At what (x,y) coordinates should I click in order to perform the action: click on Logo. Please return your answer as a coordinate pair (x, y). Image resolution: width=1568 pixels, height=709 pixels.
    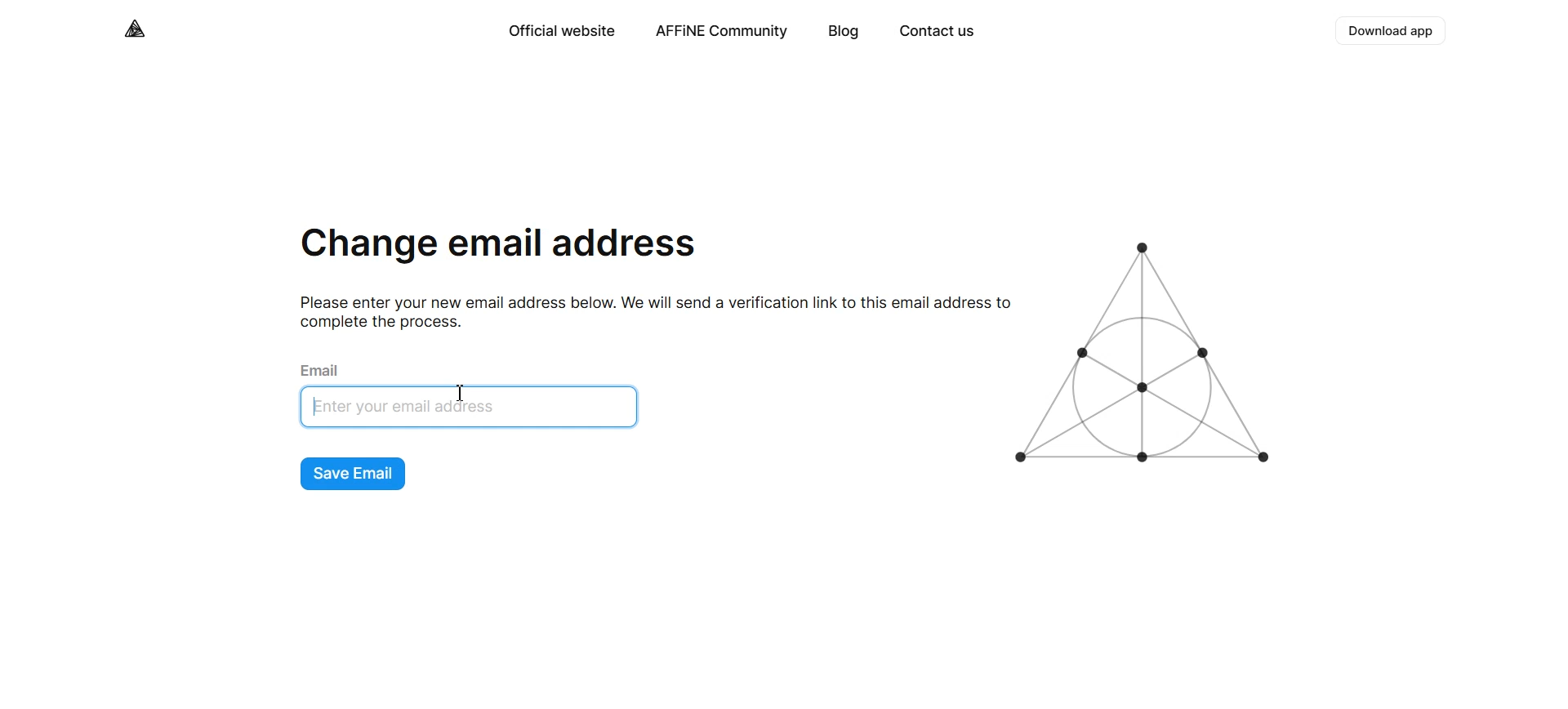
    Looking at the image, I should click on (136, 29).